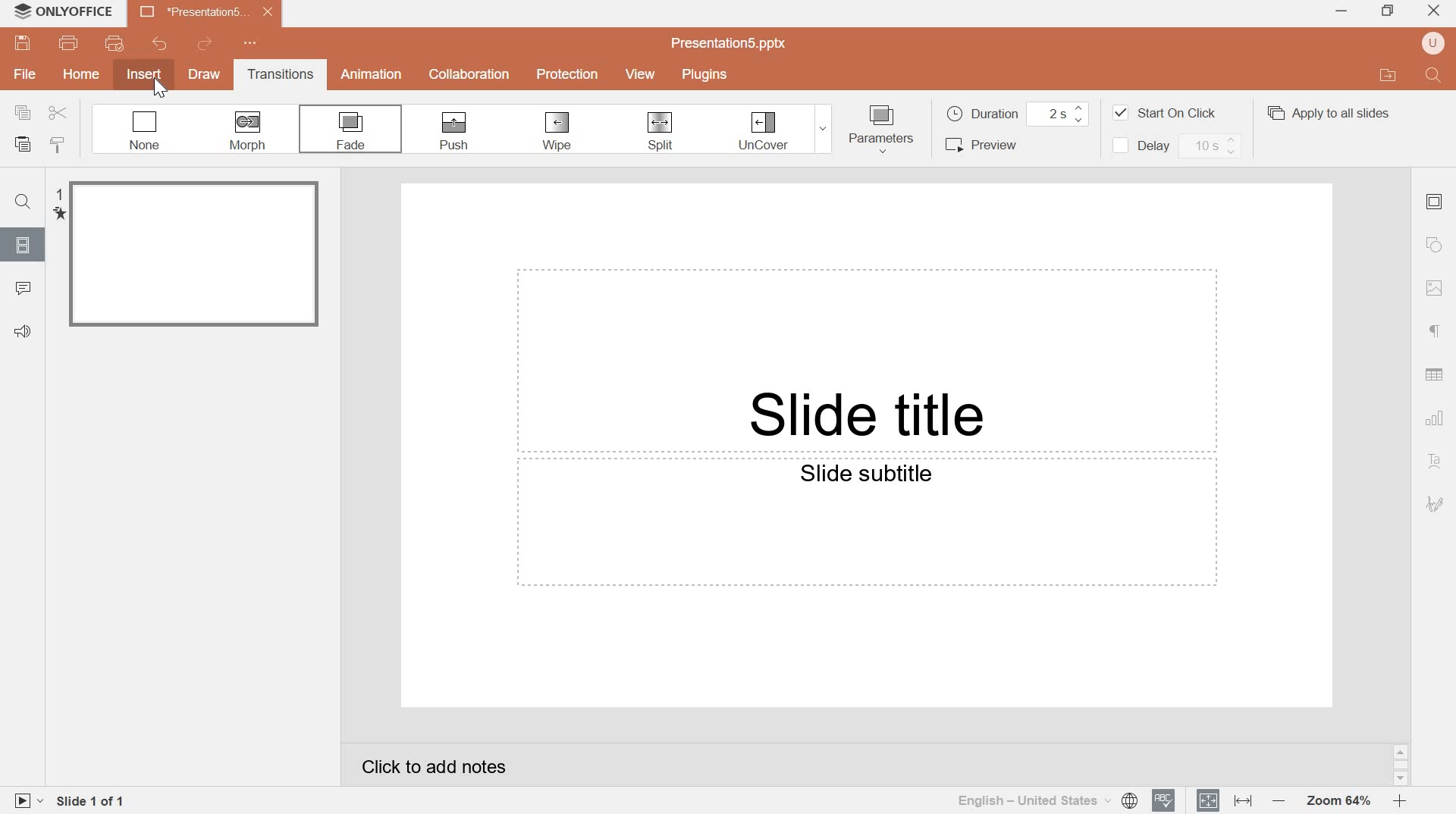  Describe the element at coordinates (69, 43) in the screenshot. I see `print` at that location.